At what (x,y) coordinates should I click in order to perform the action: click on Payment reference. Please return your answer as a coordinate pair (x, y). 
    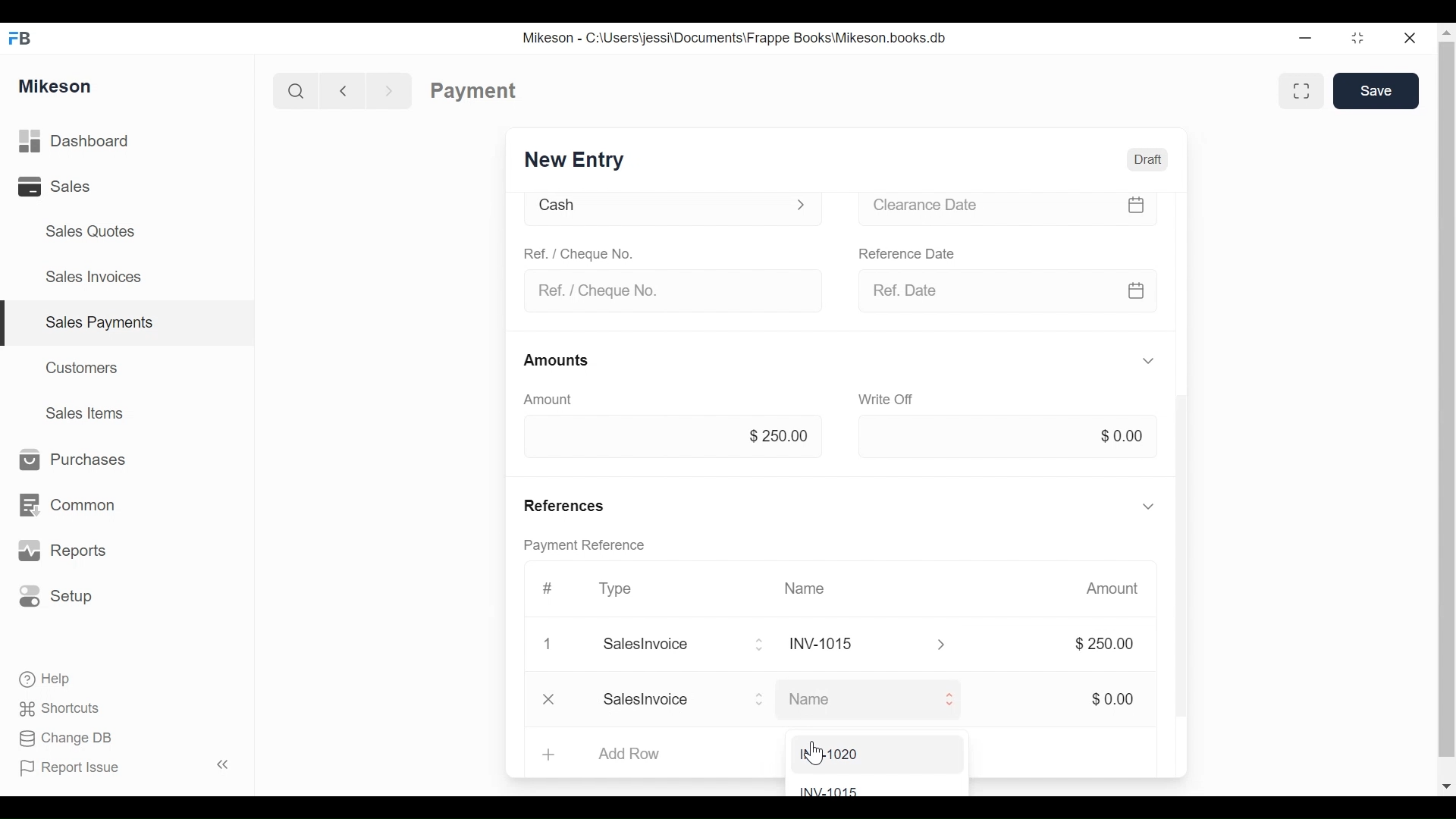
    Looking at the image, I should click on (598, 547).